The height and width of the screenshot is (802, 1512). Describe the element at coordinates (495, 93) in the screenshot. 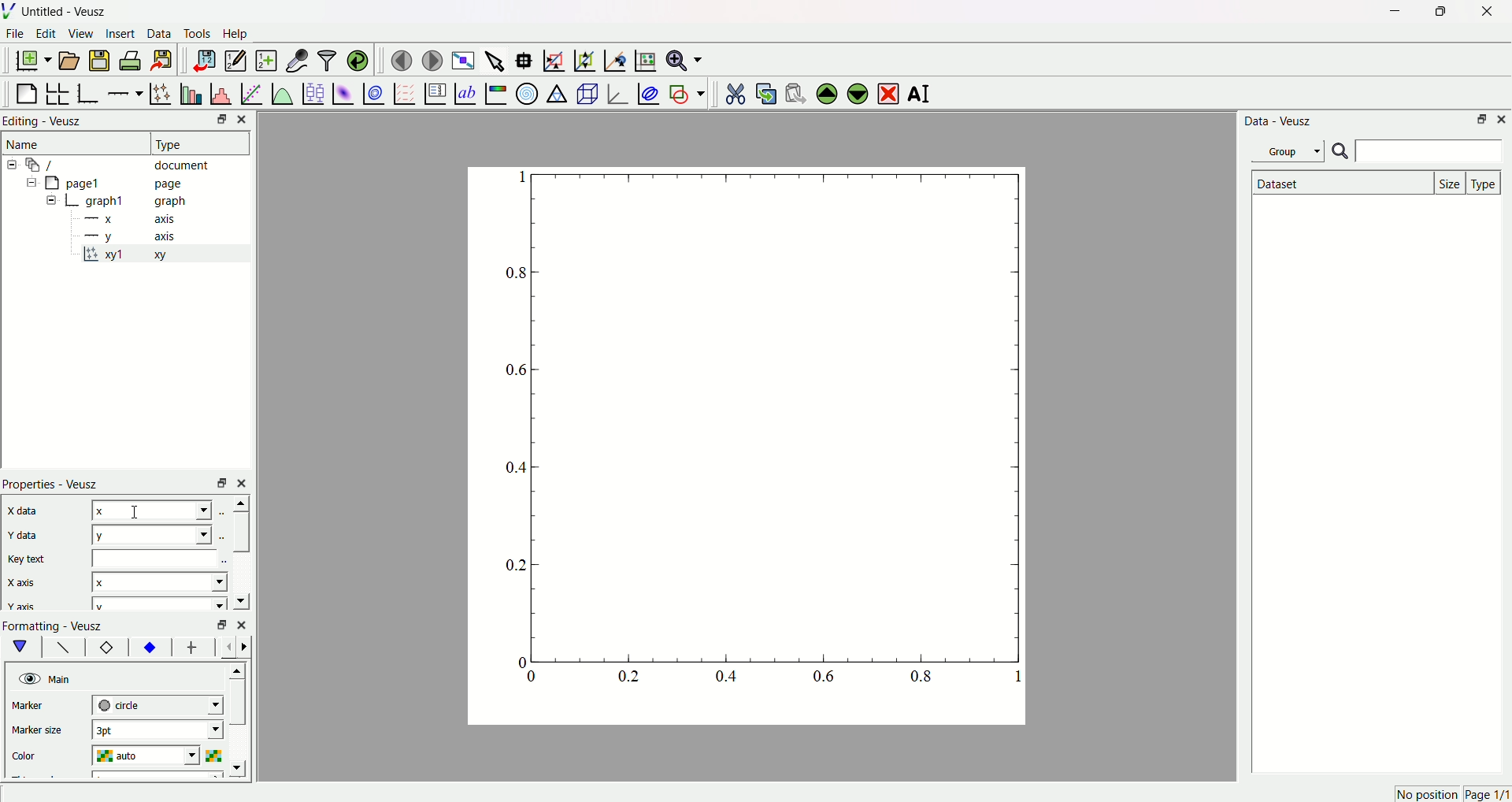

I see `image color bar` at that location.